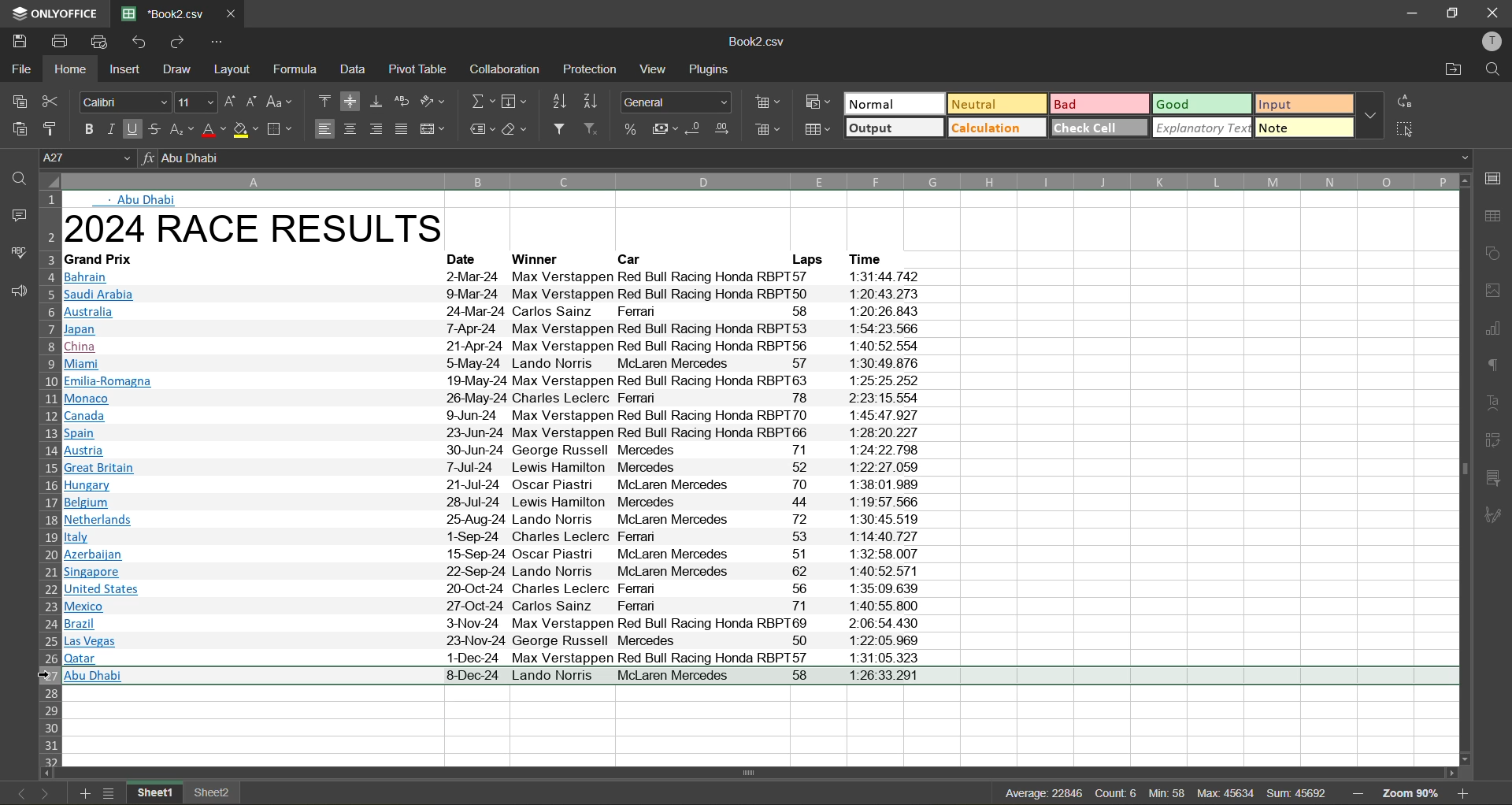  I want to click on bold, so click(84, 127).